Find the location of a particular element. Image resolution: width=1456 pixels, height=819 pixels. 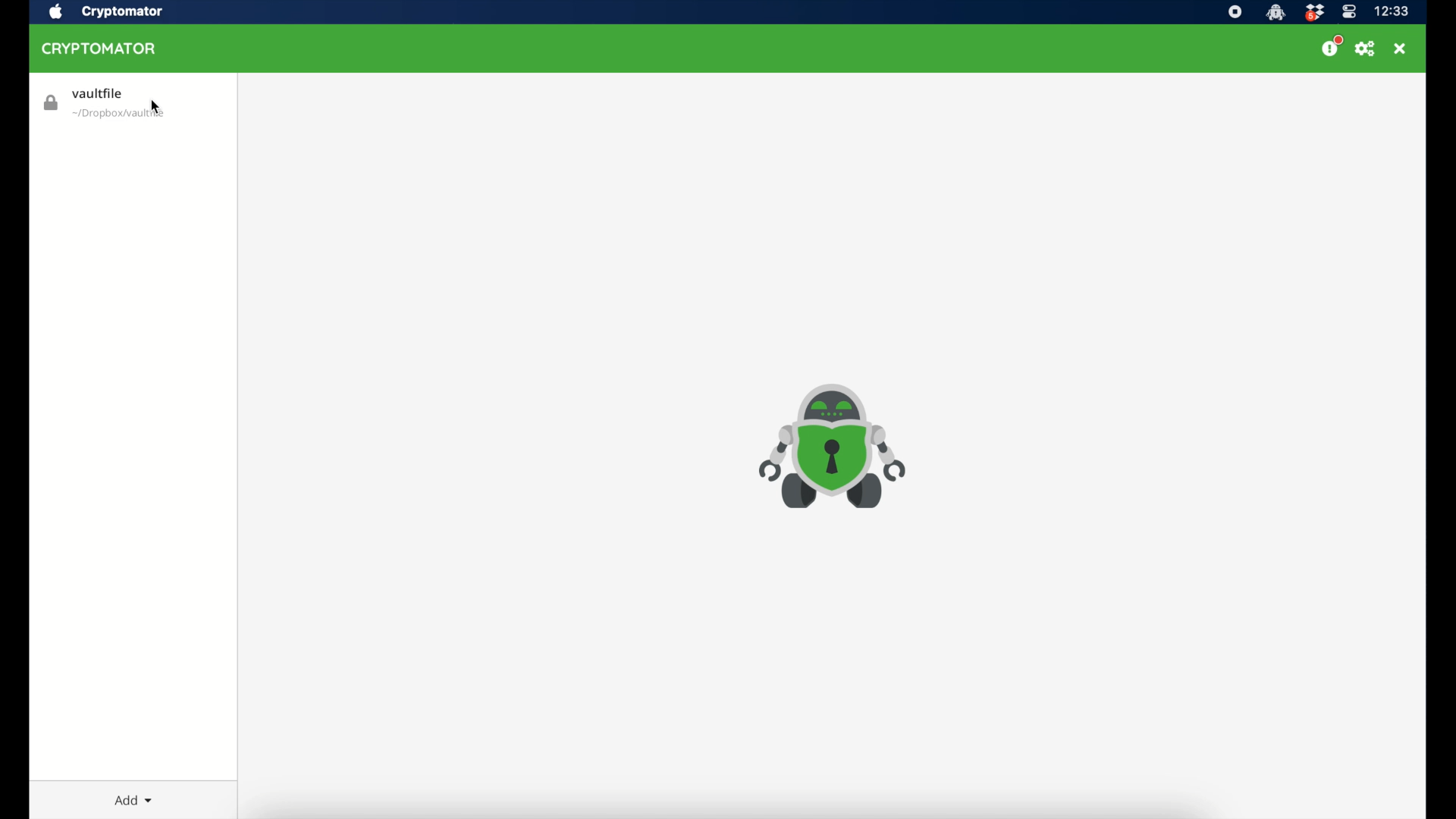

donate us is located at coordinates (1332, 46).